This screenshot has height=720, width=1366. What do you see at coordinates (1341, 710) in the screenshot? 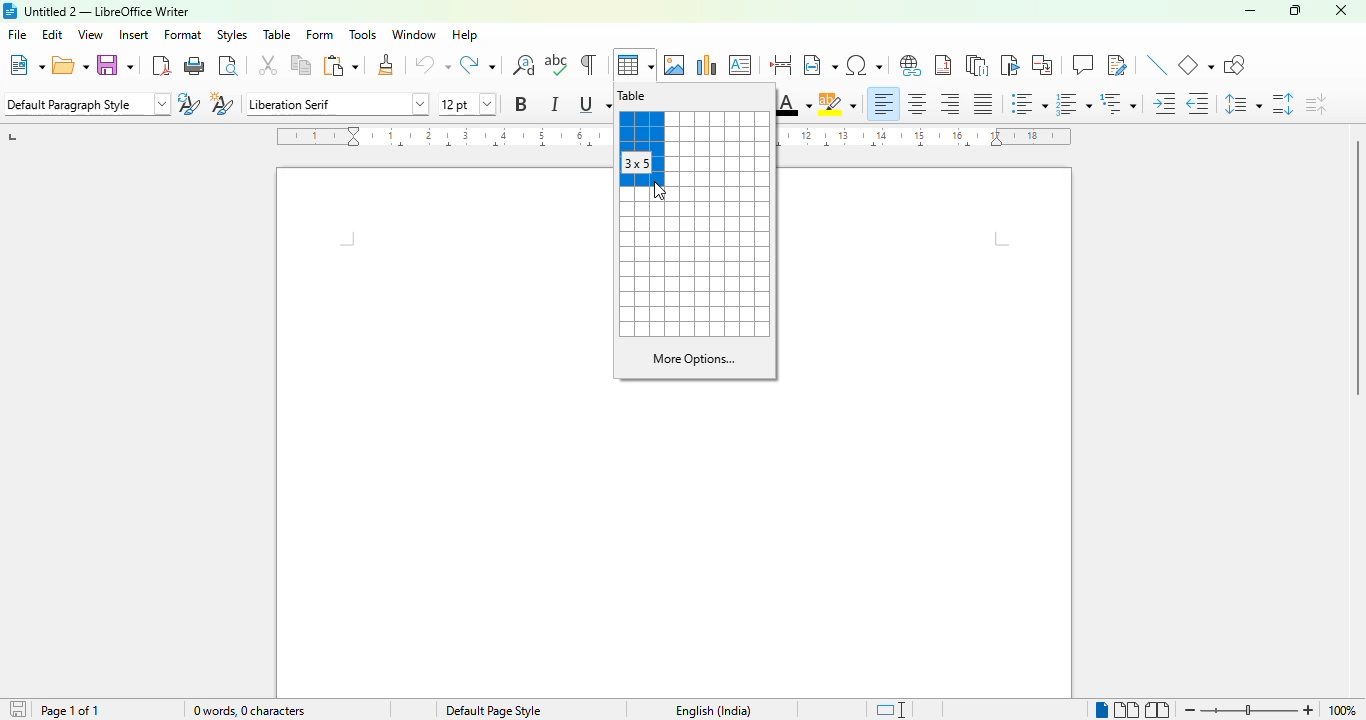
I see `zoom factor` at bounding box center [1341, 710].